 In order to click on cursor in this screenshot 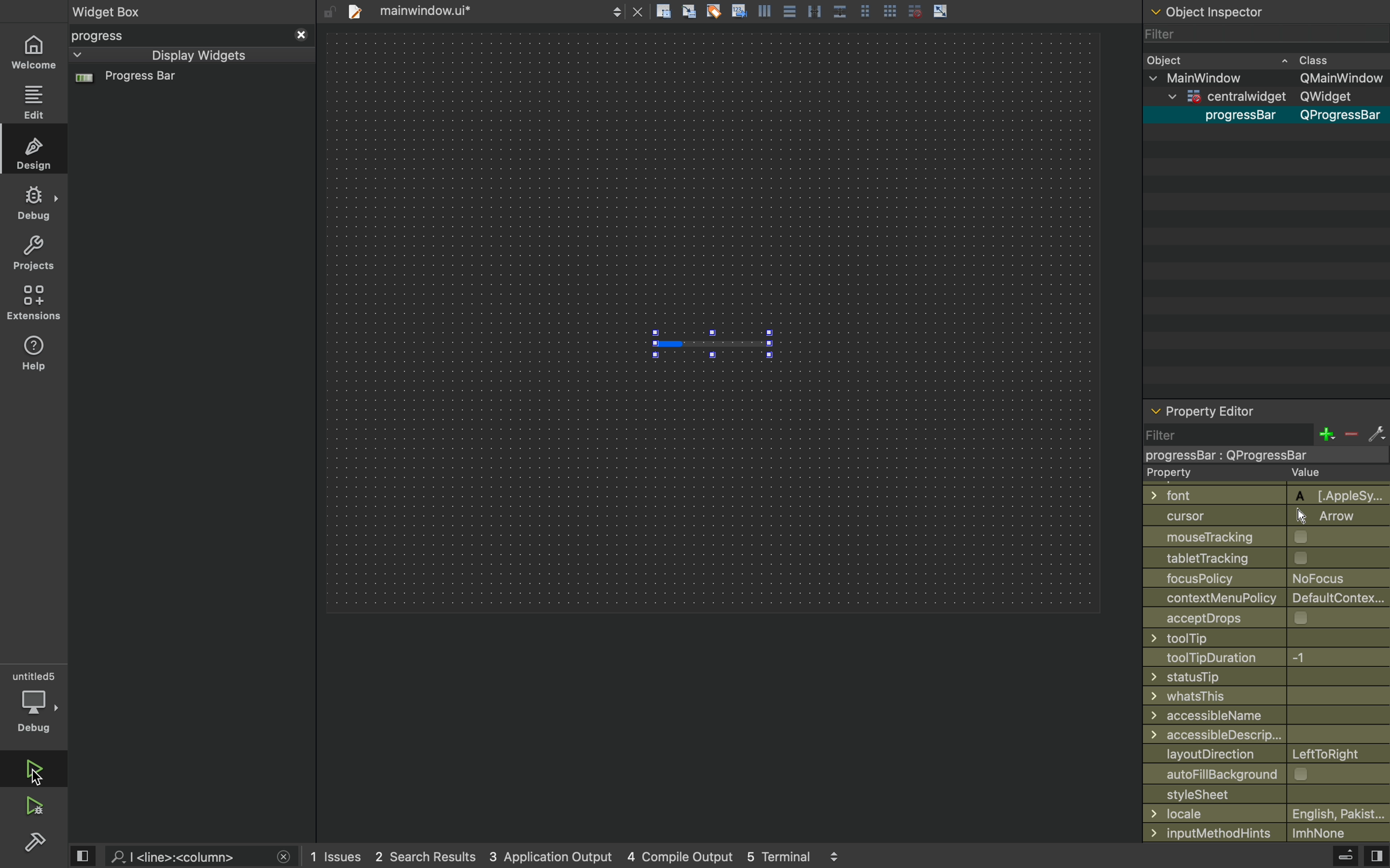, I will do `click(42, 767)`.